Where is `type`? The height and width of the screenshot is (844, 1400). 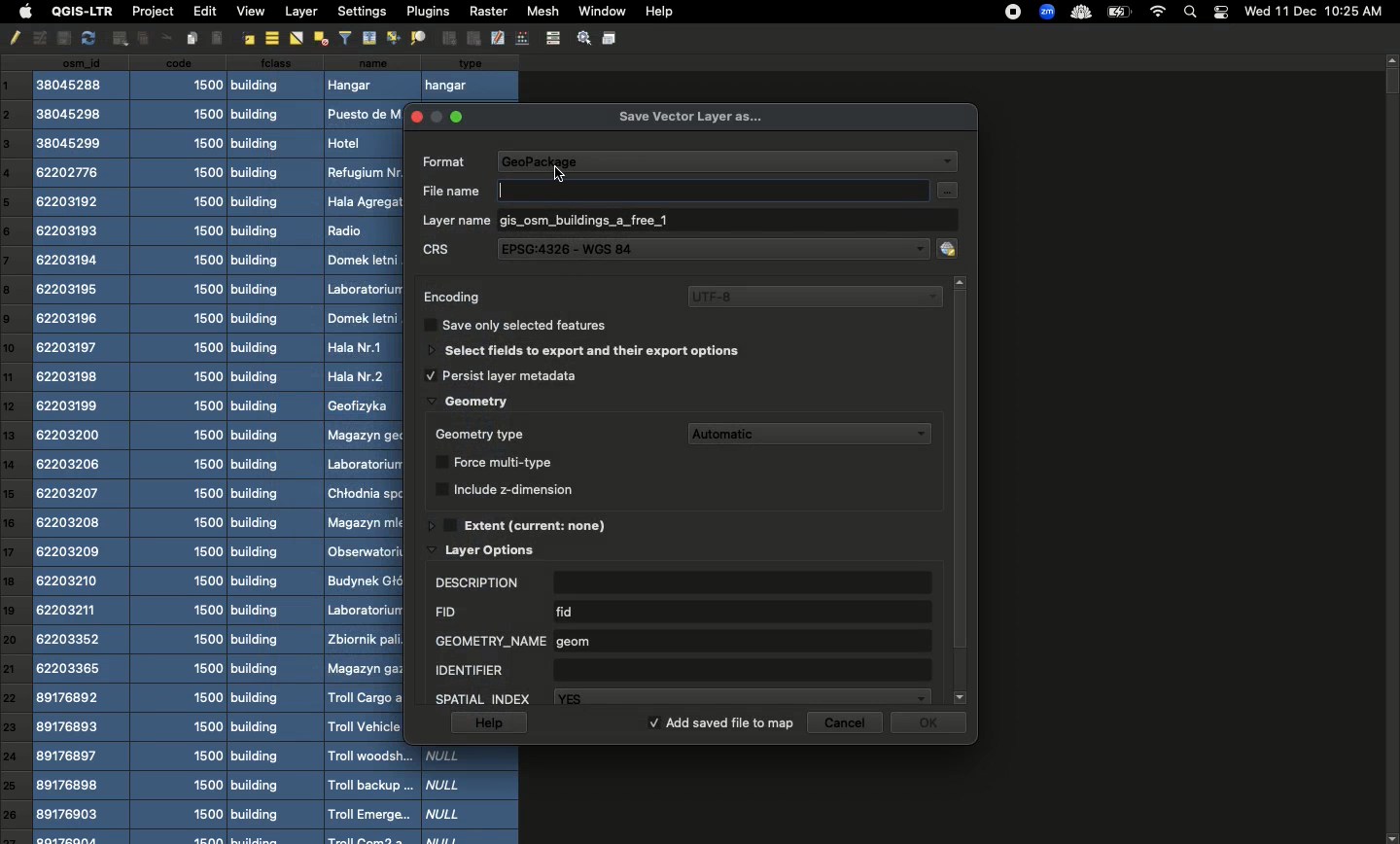
type is located at coordinates (467, 77).